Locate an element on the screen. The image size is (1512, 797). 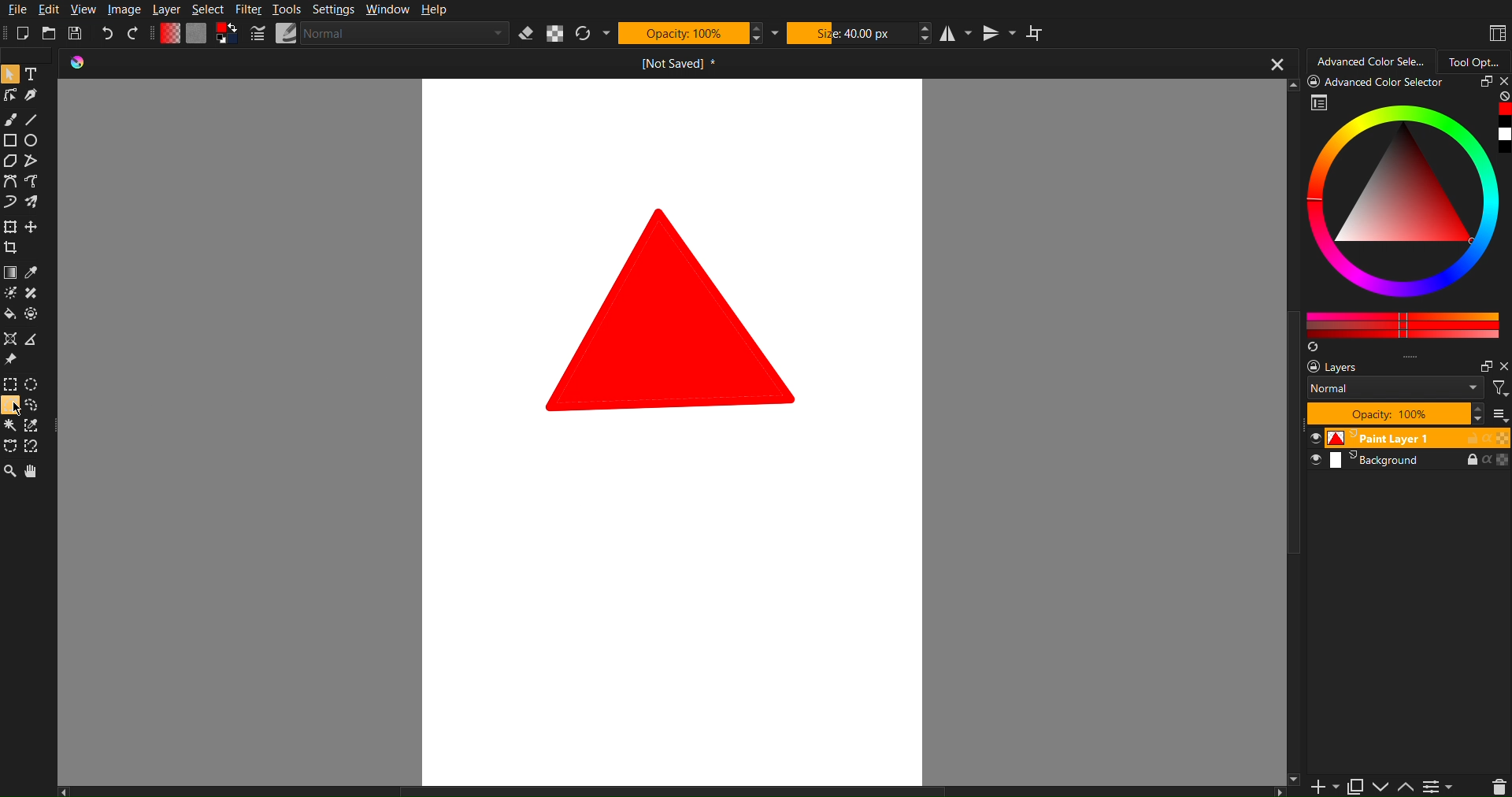
Selection square is located at coordinates (9, 384).